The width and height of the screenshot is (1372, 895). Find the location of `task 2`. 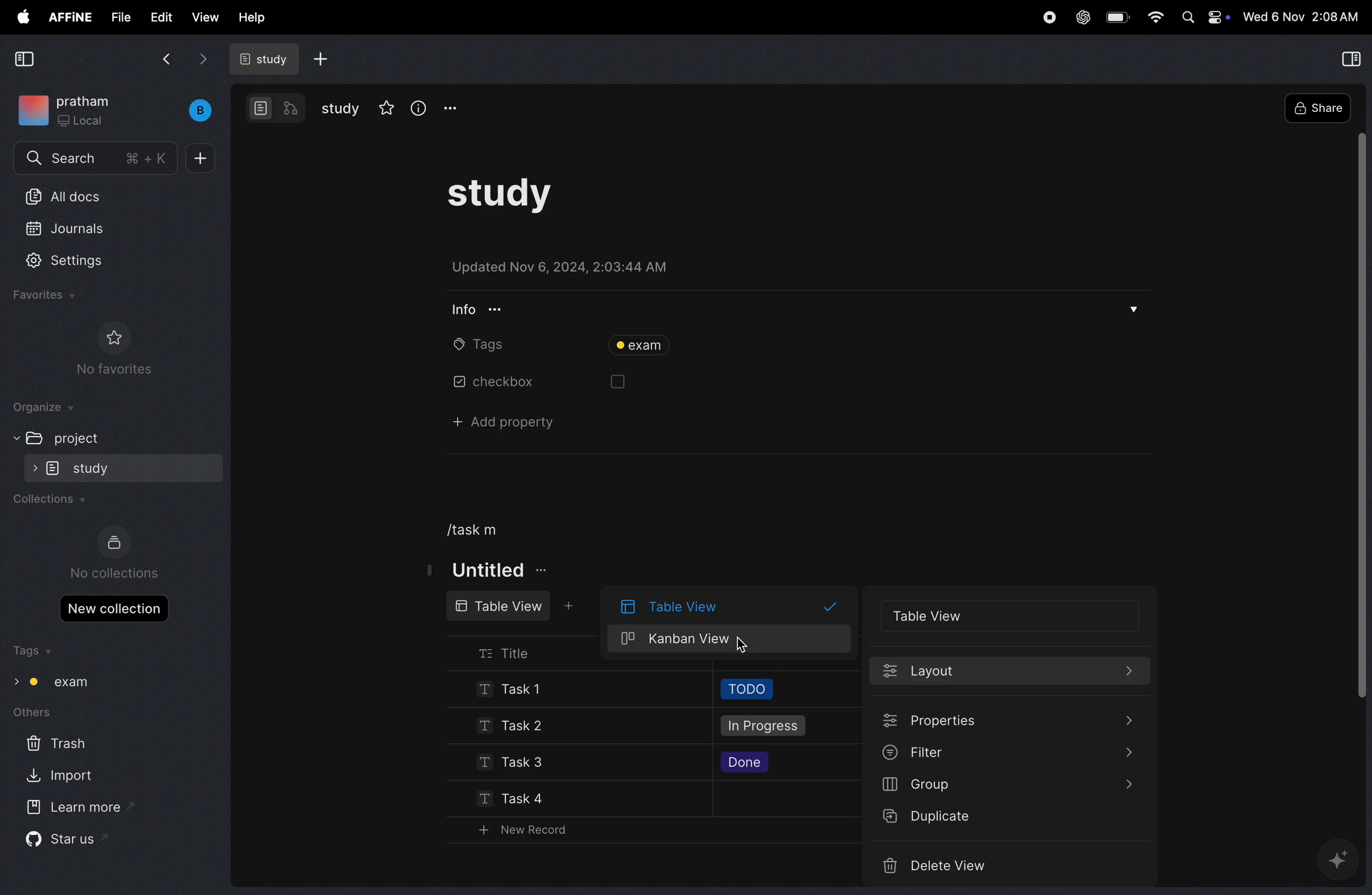

task 2 is located at coordinates (507, 727).